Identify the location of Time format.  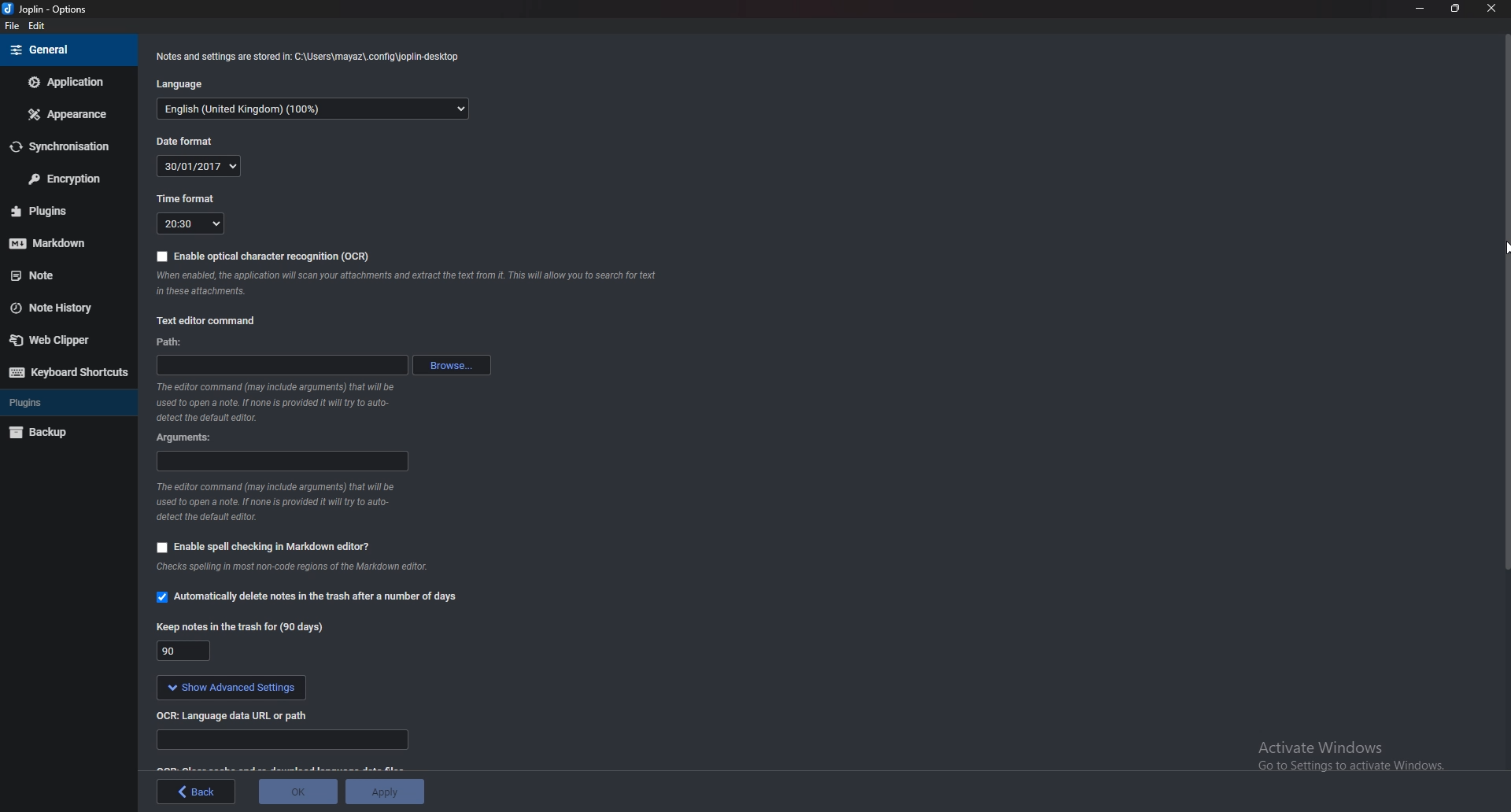
(191, 199).